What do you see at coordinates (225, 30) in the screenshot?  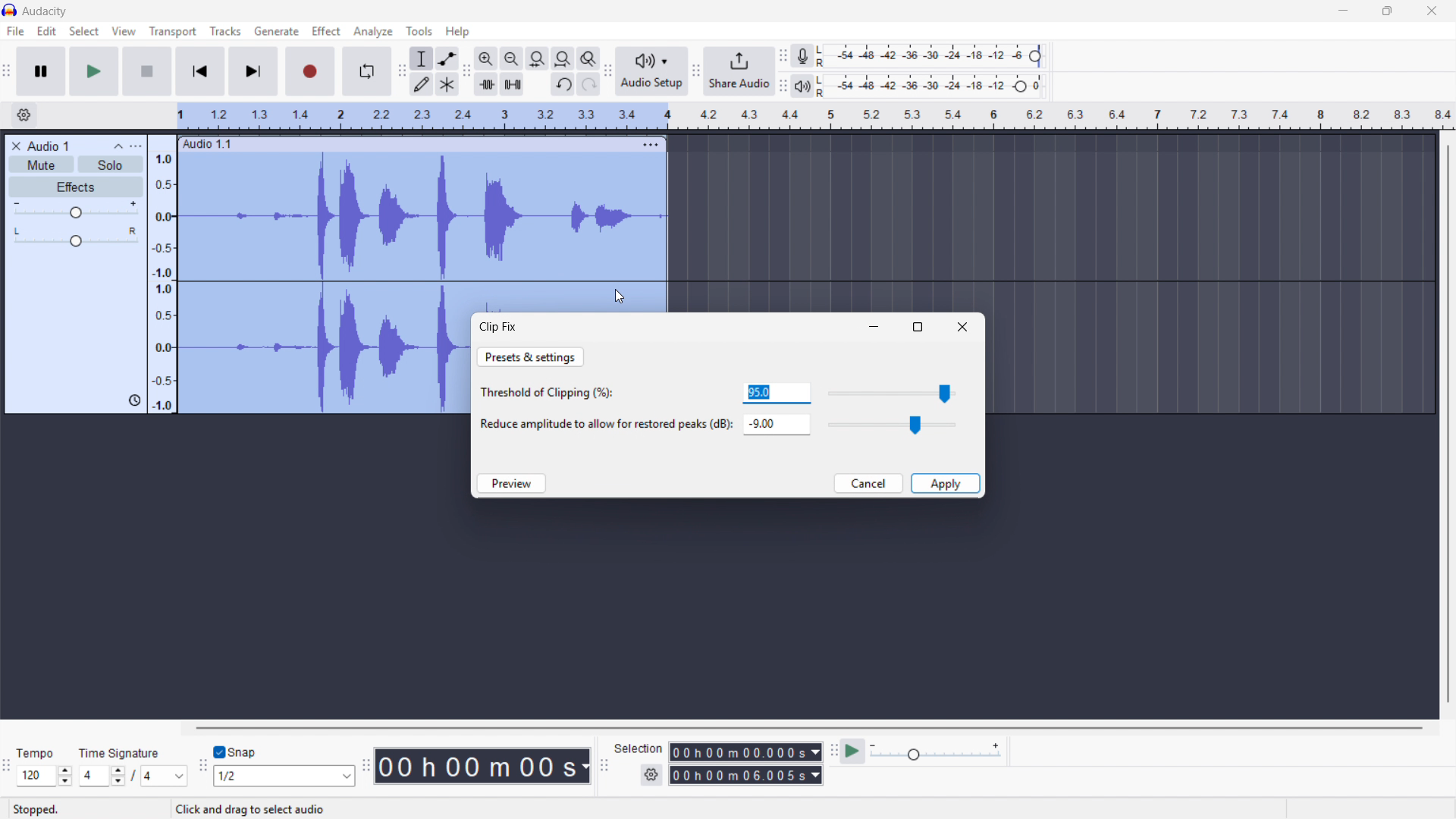 I see `Tracks` at bounding box center [225, 30].